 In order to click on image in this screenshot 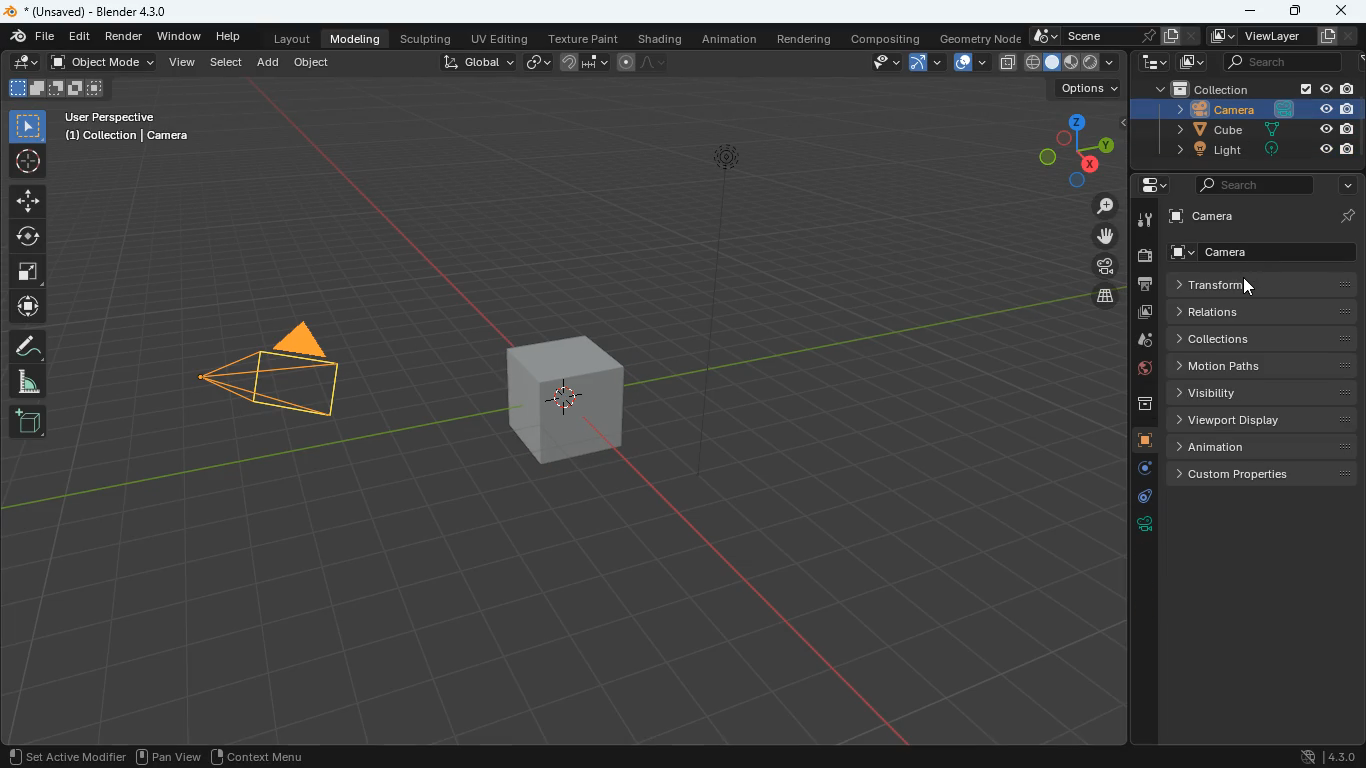, I will do `click(1141, 315)`.